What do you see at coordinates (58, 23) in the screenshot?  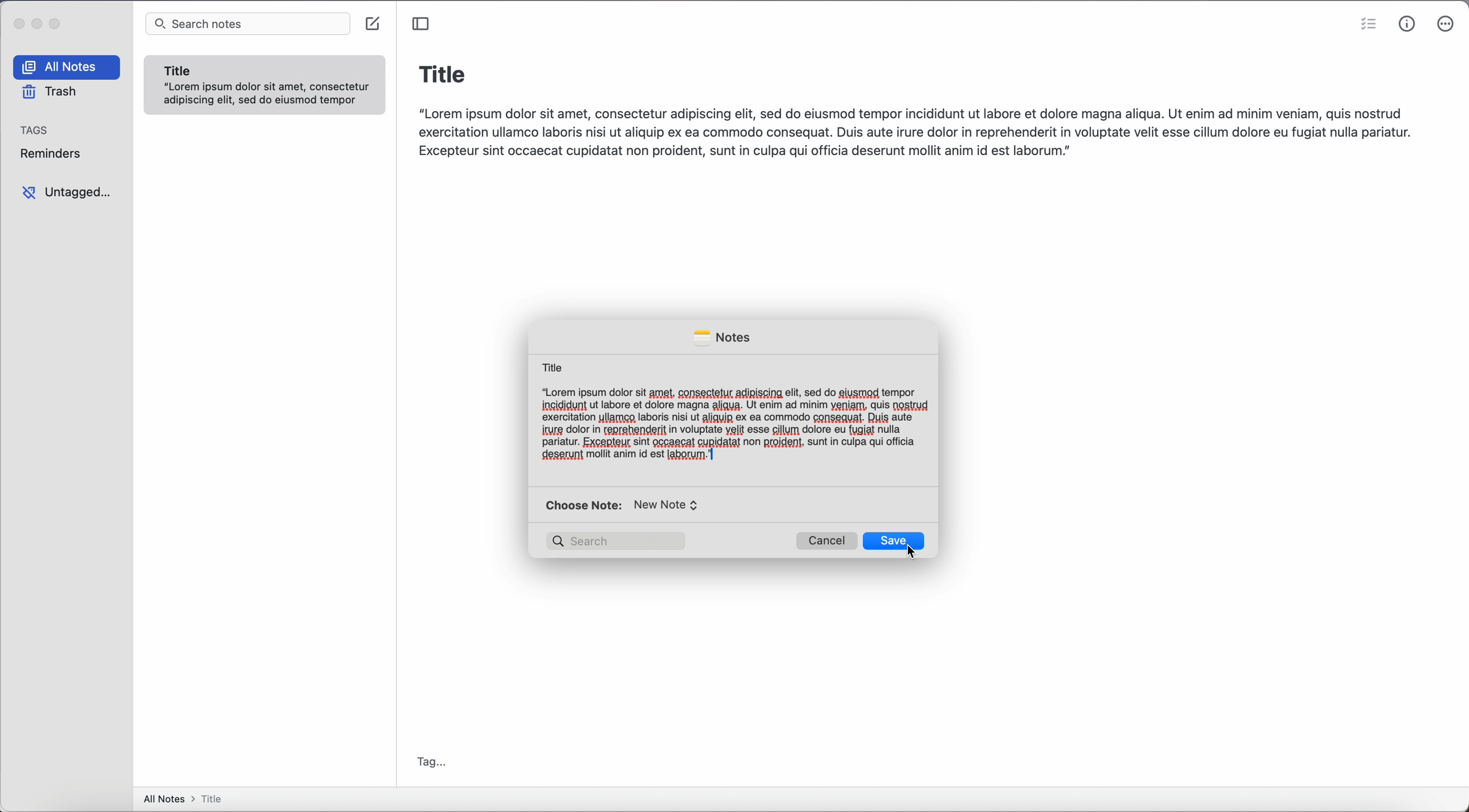 I see `maximize app` at bounding box center [58, 23].